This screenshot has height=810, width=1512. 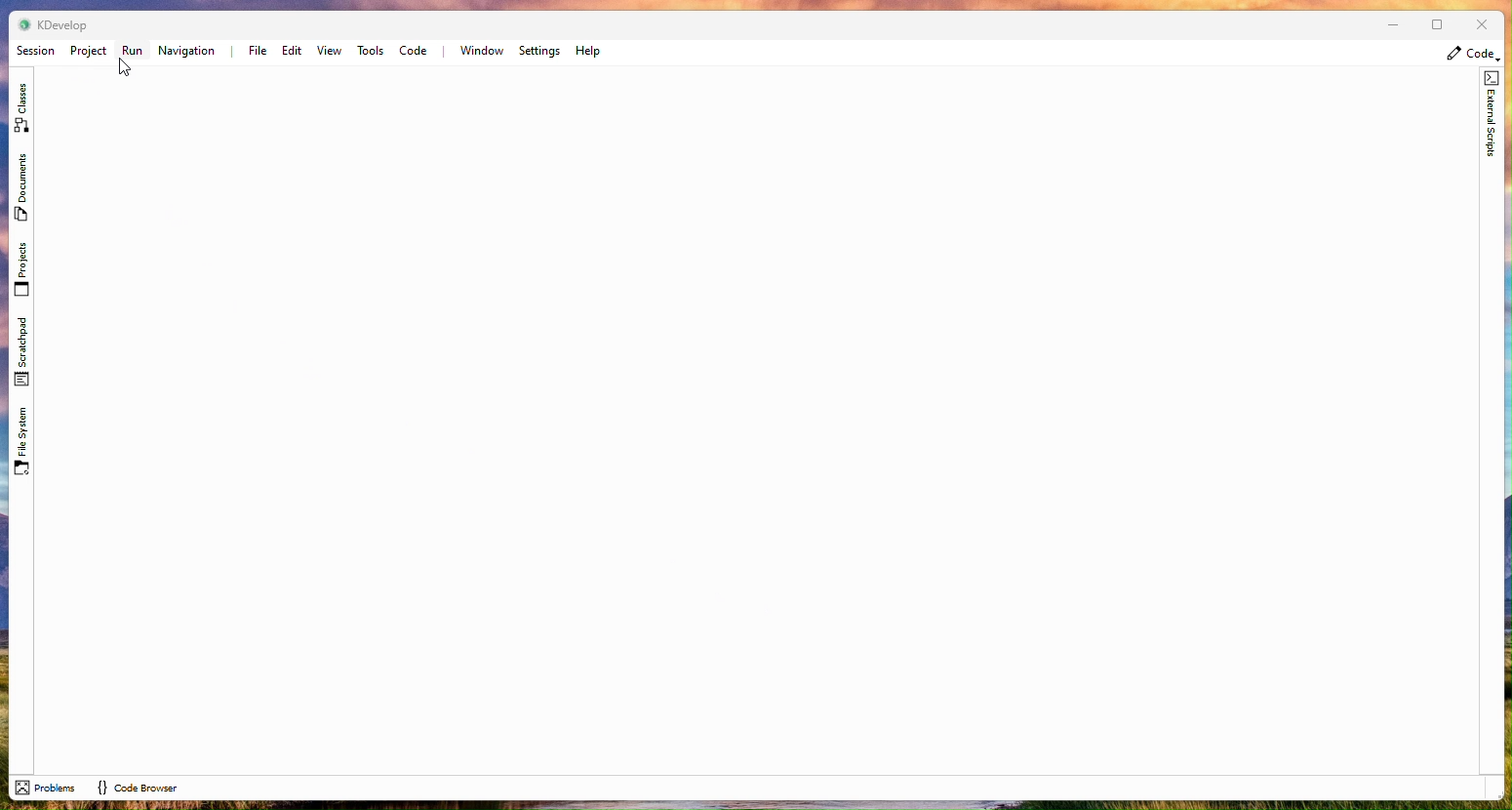 I want to click on Window, so click(x=481, y=51).